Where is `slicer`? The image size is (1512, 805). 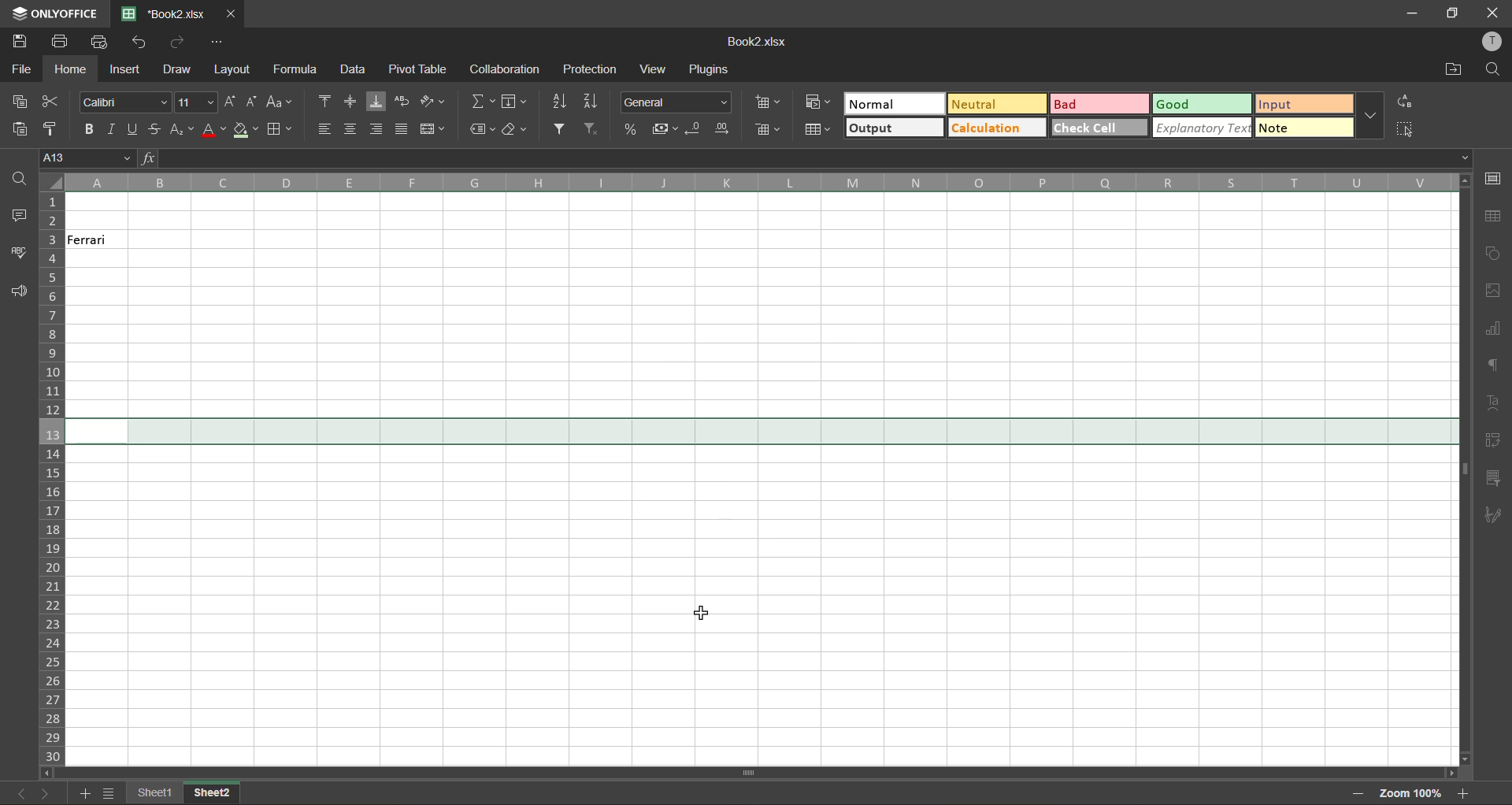 slicer is located at coordinates (1495, 480).